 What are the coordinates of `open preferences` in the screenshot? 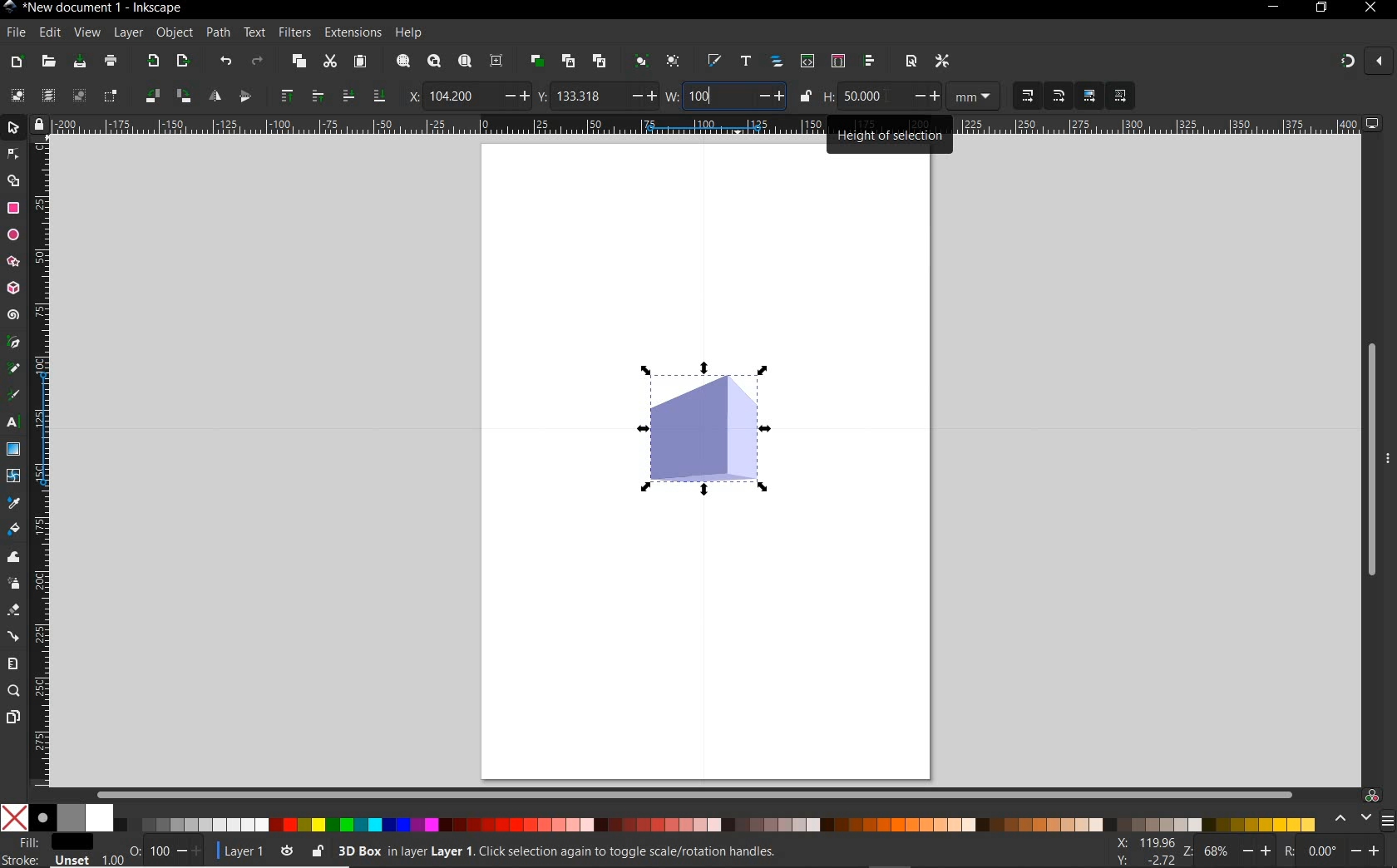 It's located at (946, 62).